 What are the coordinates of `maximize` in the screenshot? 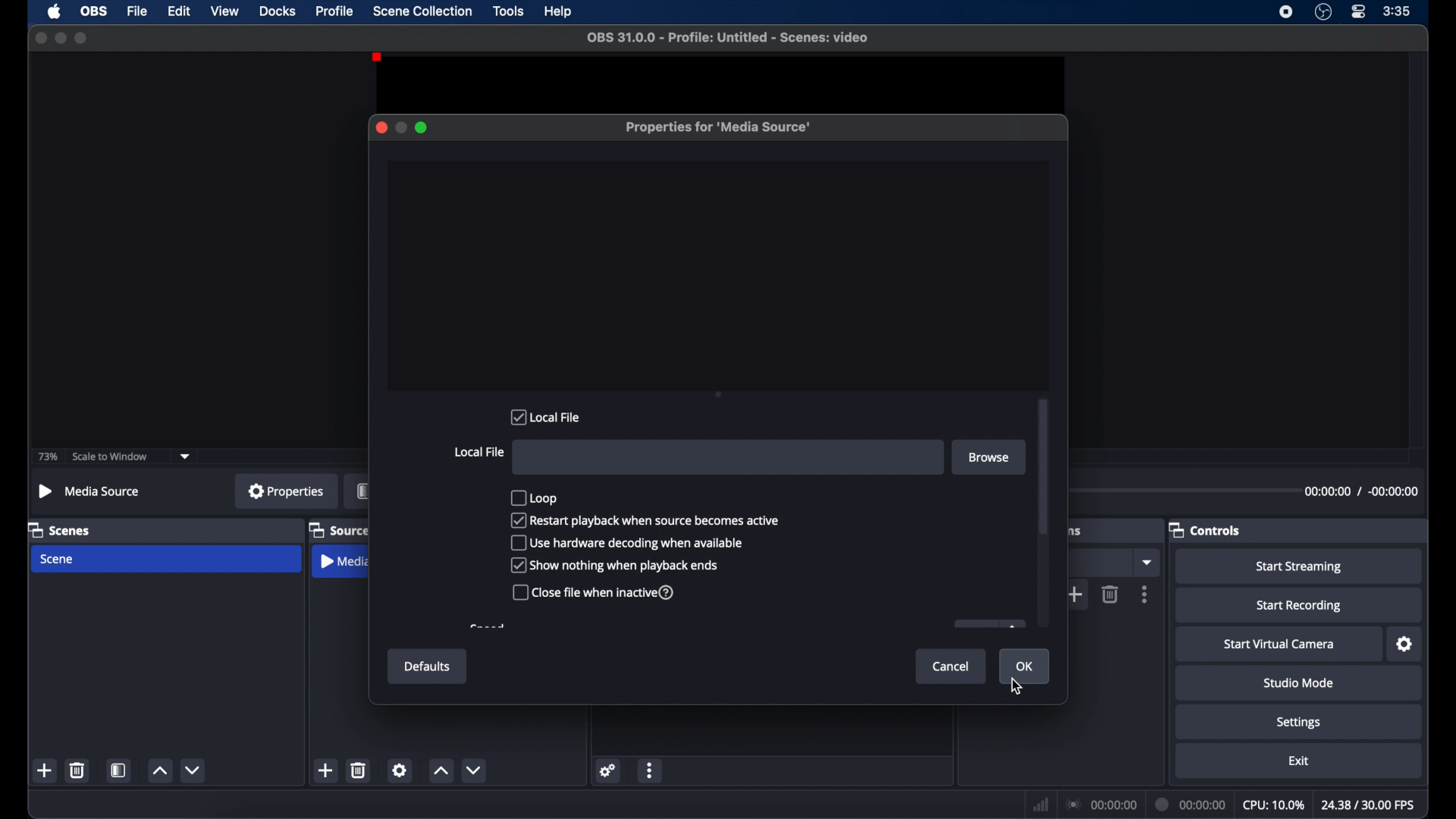 It's located at (422, 127).